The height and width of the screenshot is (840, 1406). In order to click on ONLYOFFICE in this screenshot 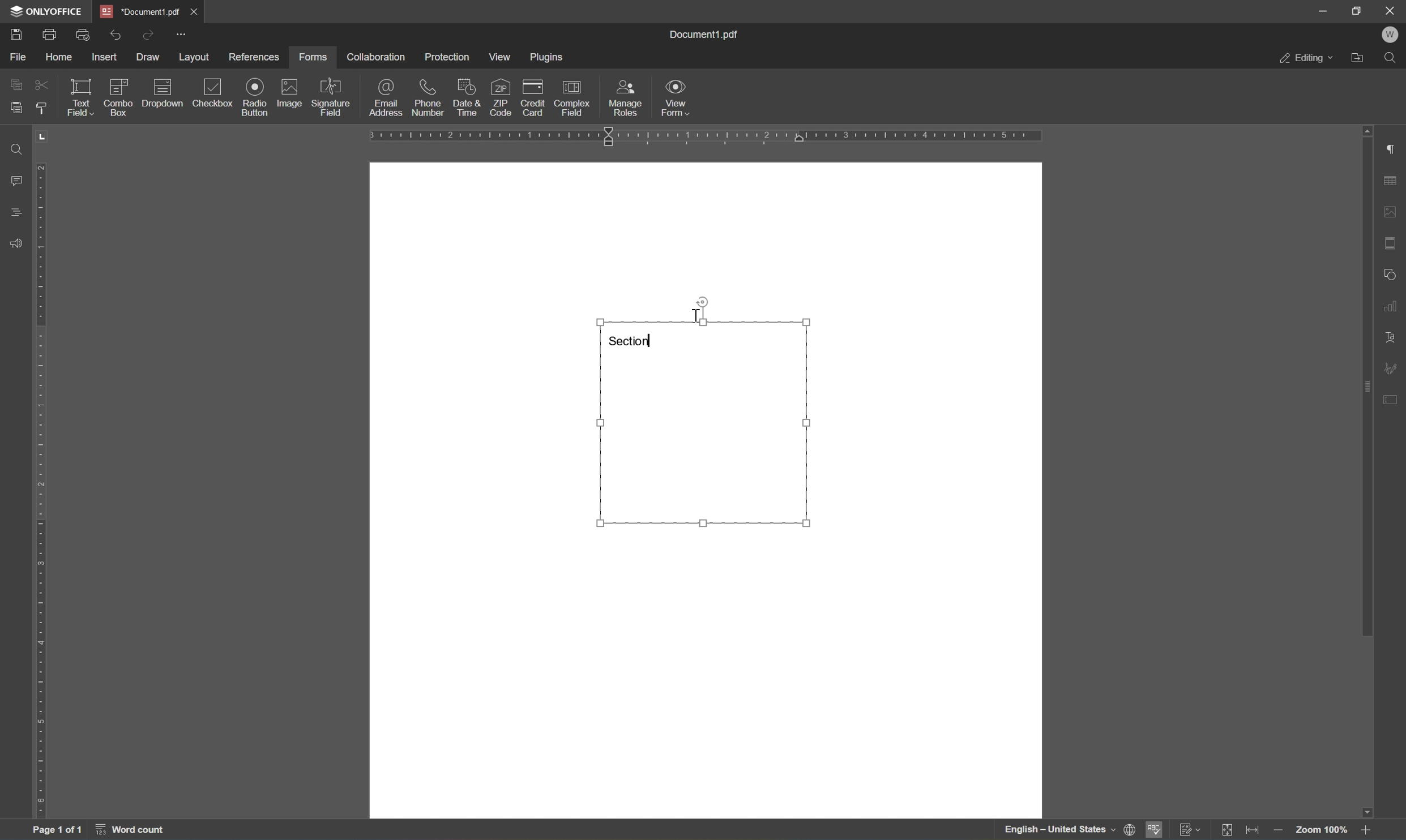, I will do `click(51, 11)`.